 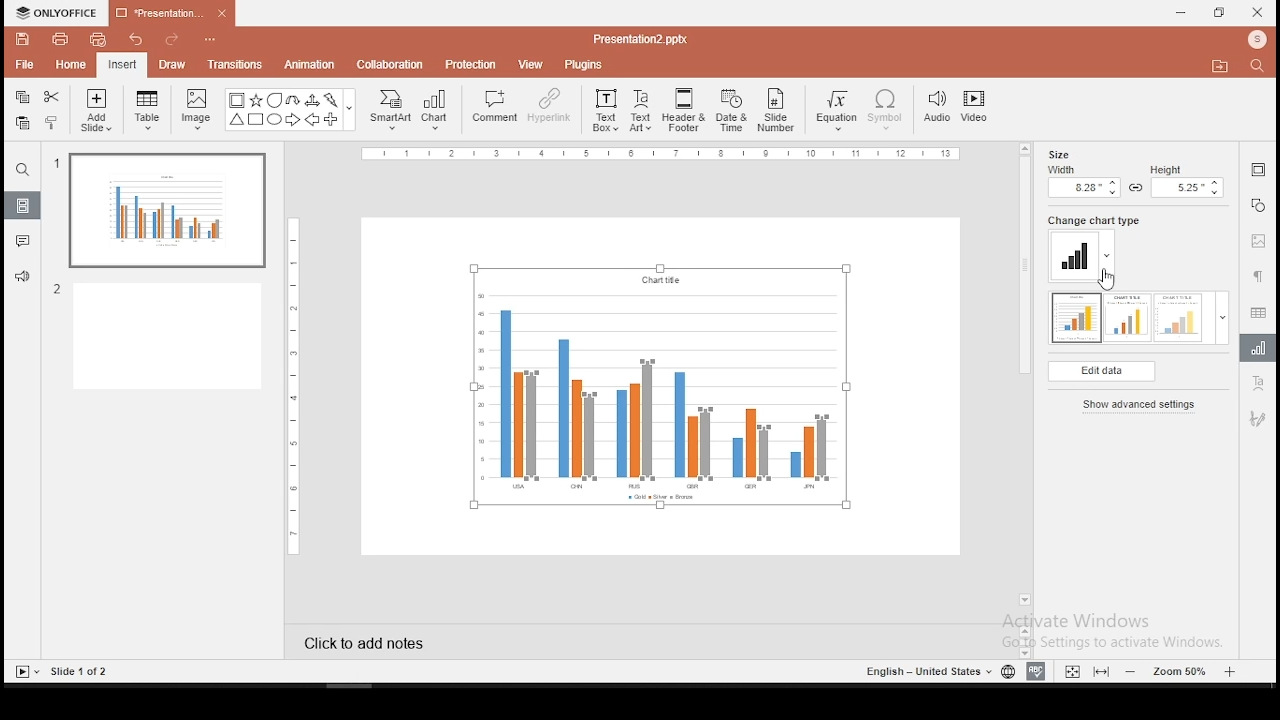 What do you see at coordinates (1257, 205) in the screenshot?
I see `shape settings` at bounding box center [1257, 205].